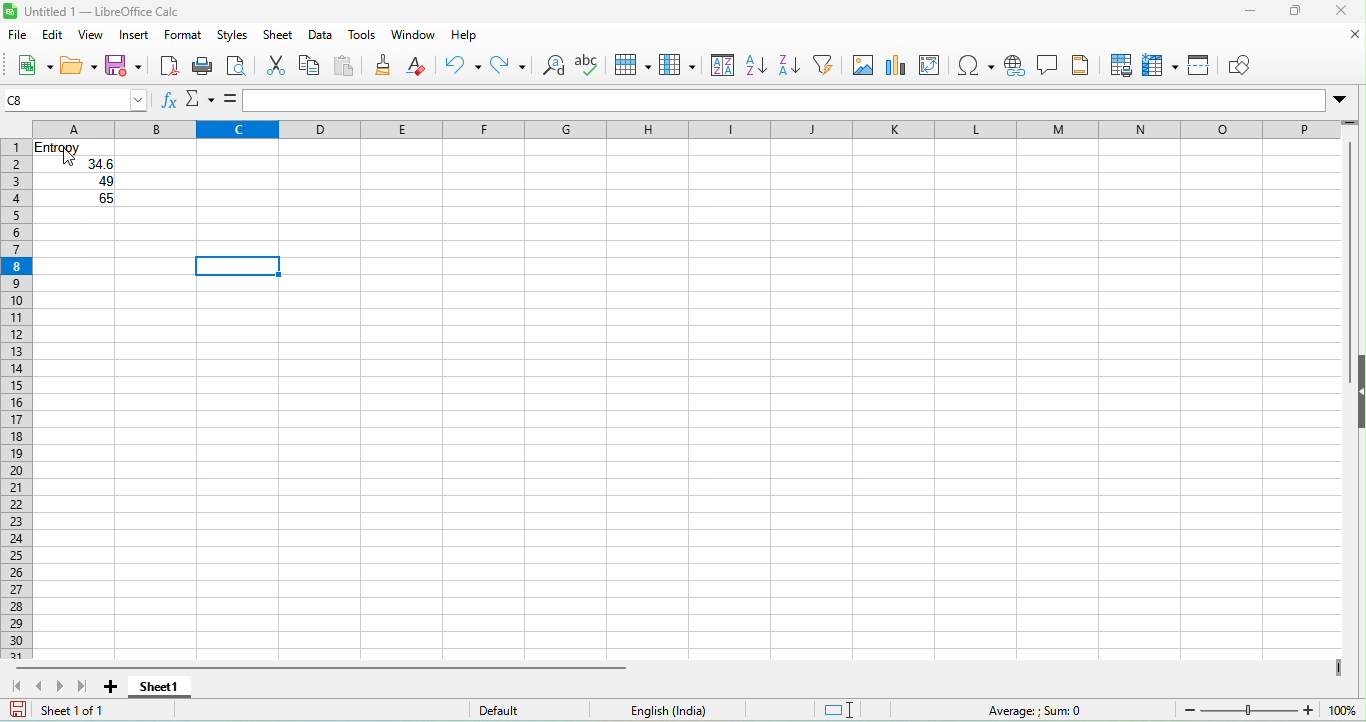  I want to click on 34.6, so click(99, 165).